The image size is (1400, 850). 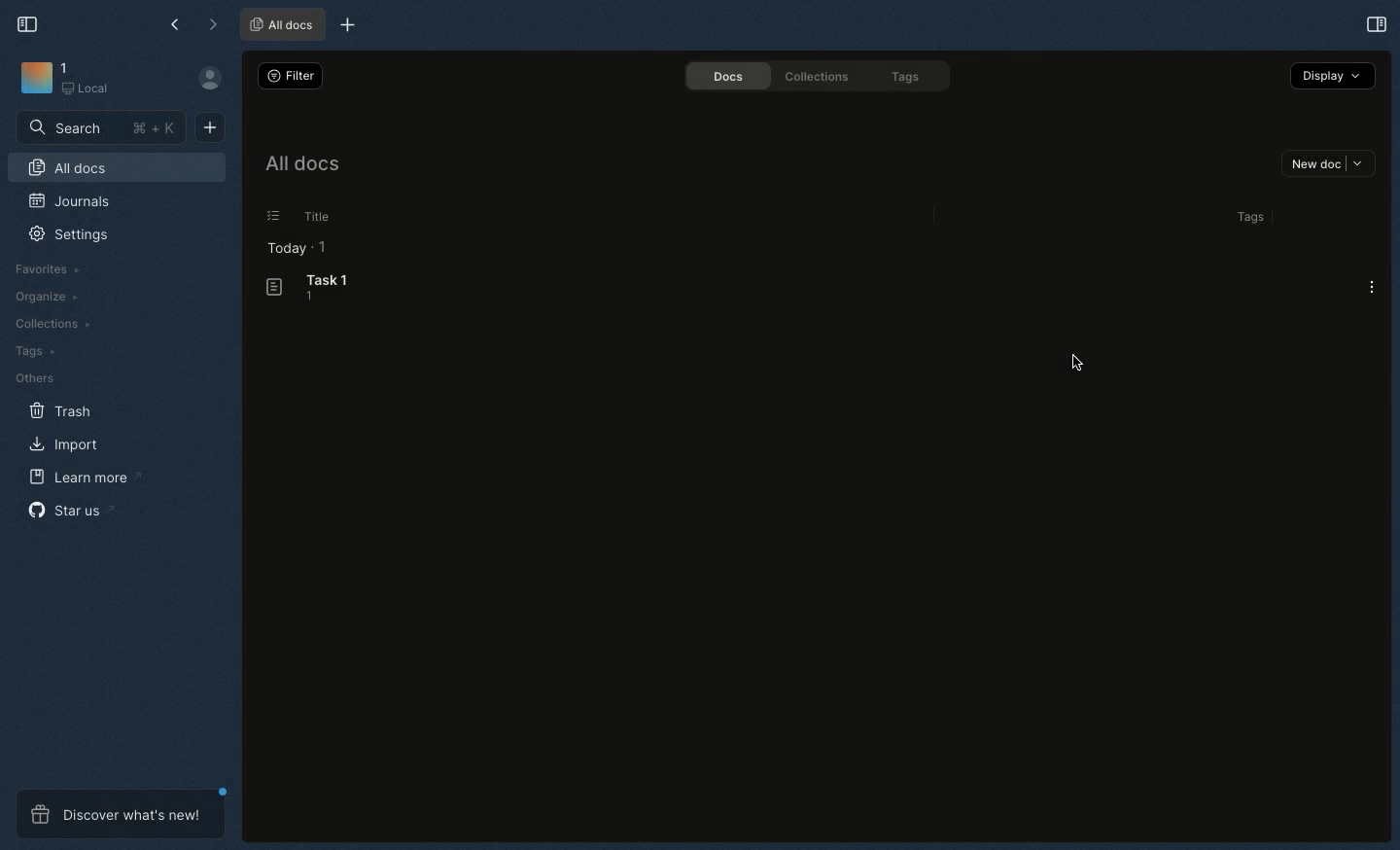 I want to click on Trash, so click(x=62, y=411).